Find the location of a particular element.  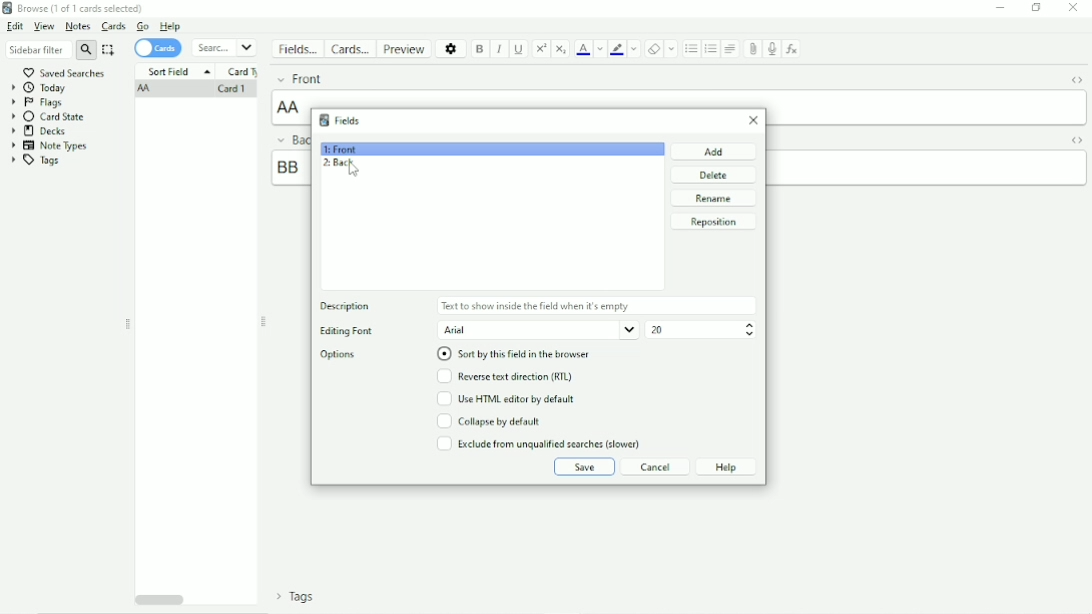

Italic is located at coordinates (500, 50).